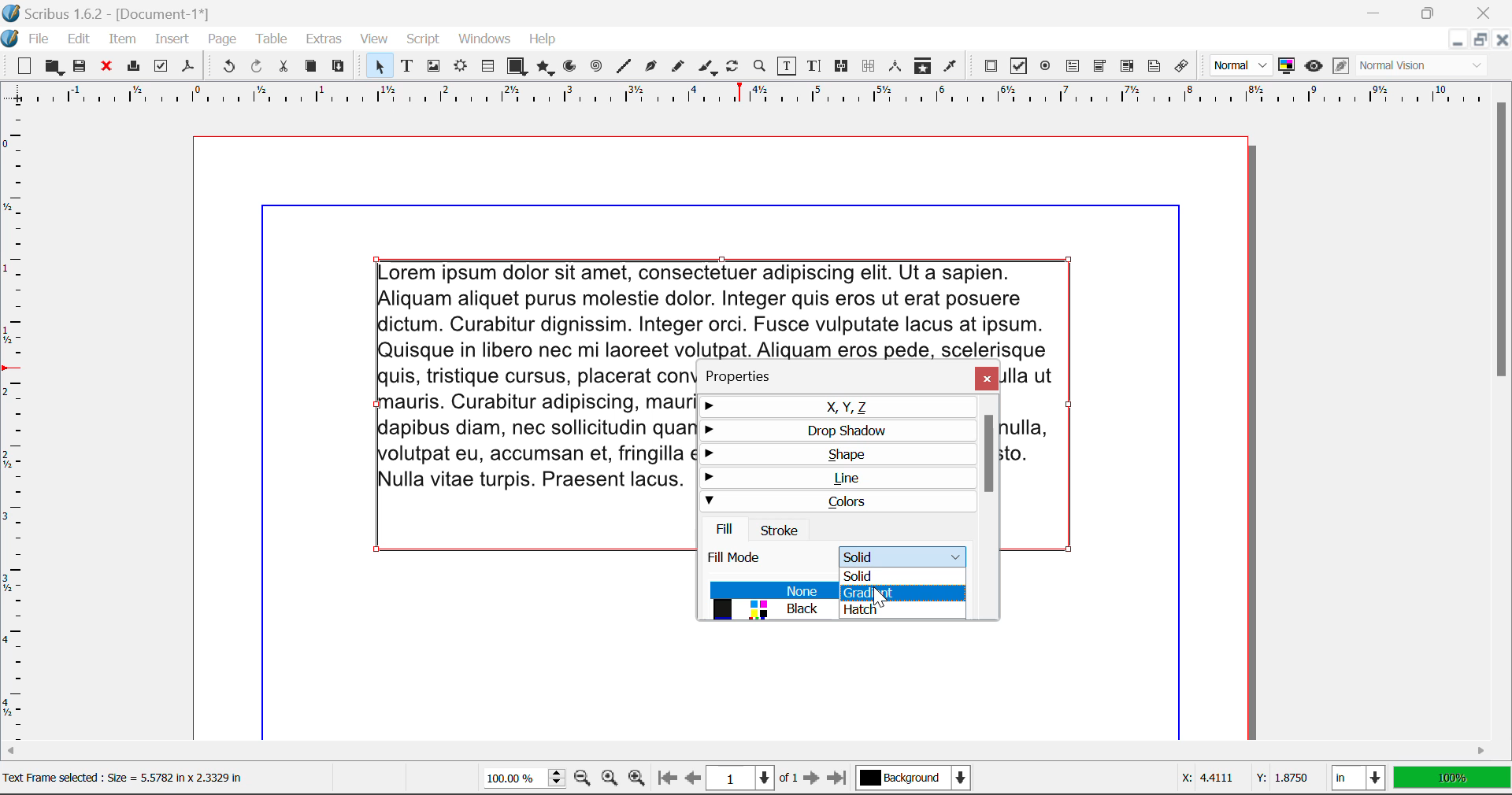 The width and height of the screenshot is (1512, 795). I want to click on Colors, so click(836, 501).